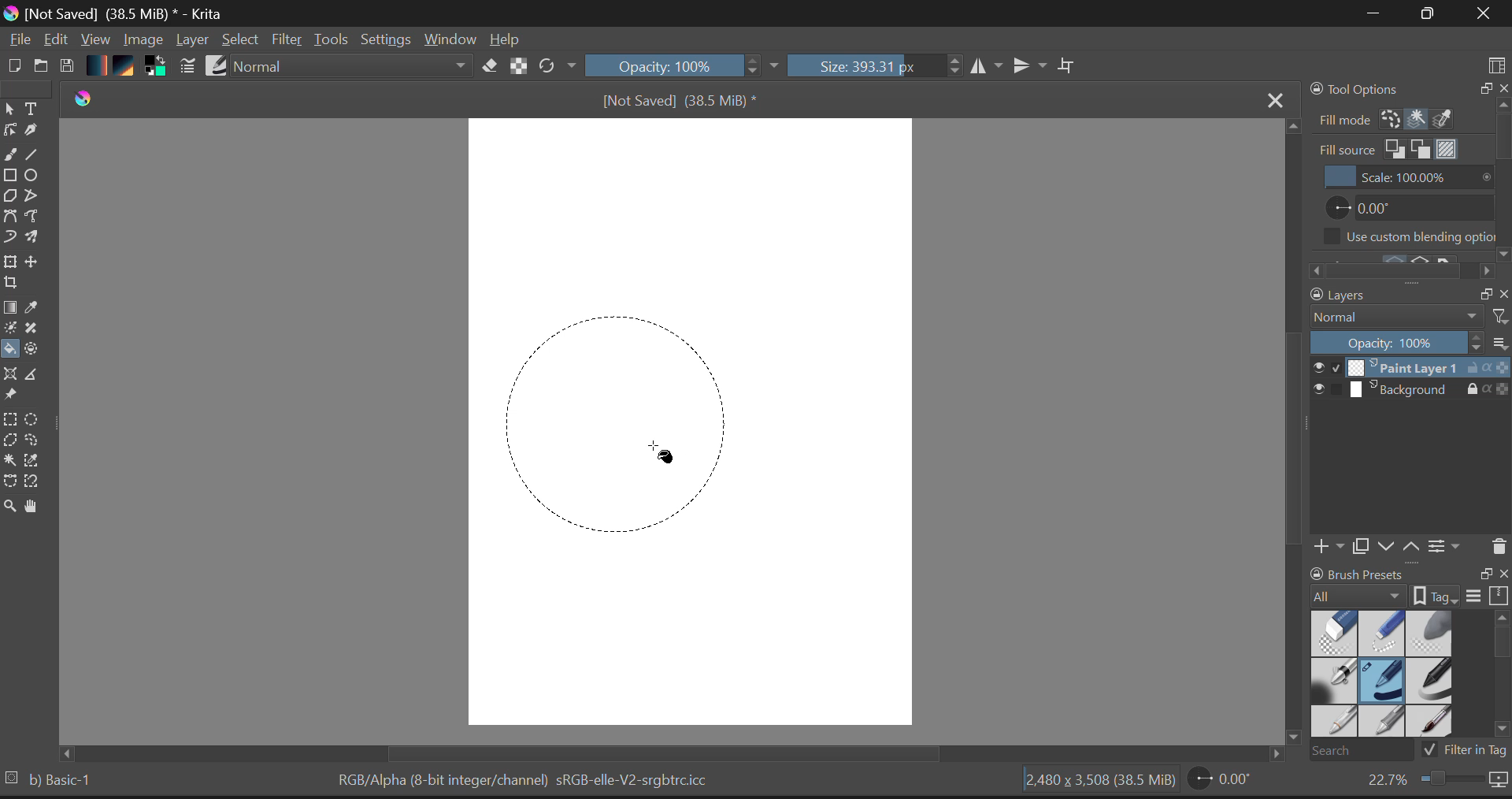 Image resolution: width=1512 pixels, height=799 pixels. I want to click on Line, so click(37, 157).